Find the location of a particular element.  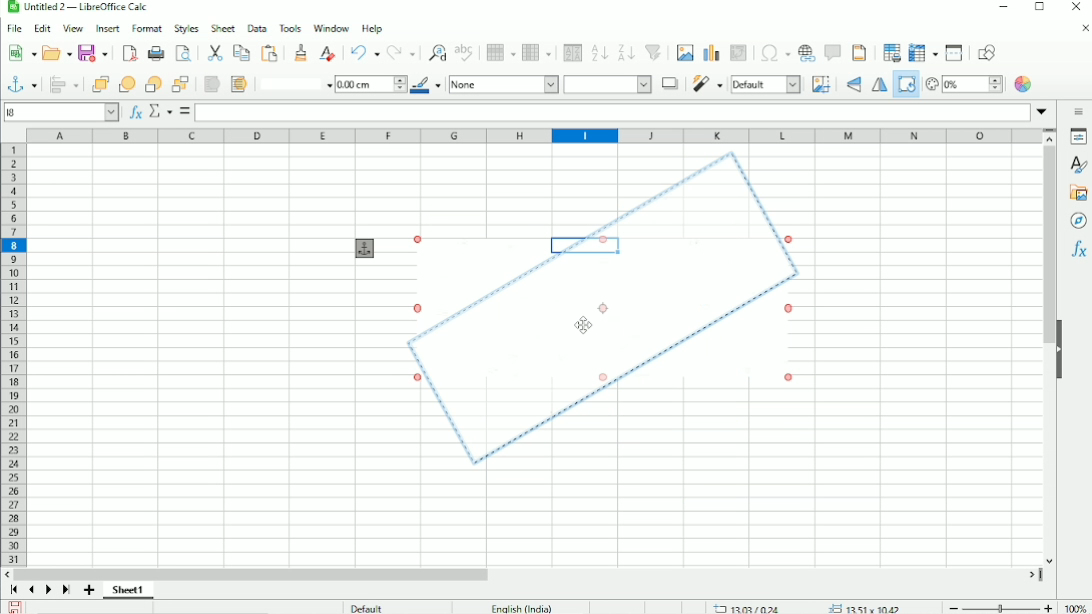

Scroll to last sheet is located at coordinates (66, 591).